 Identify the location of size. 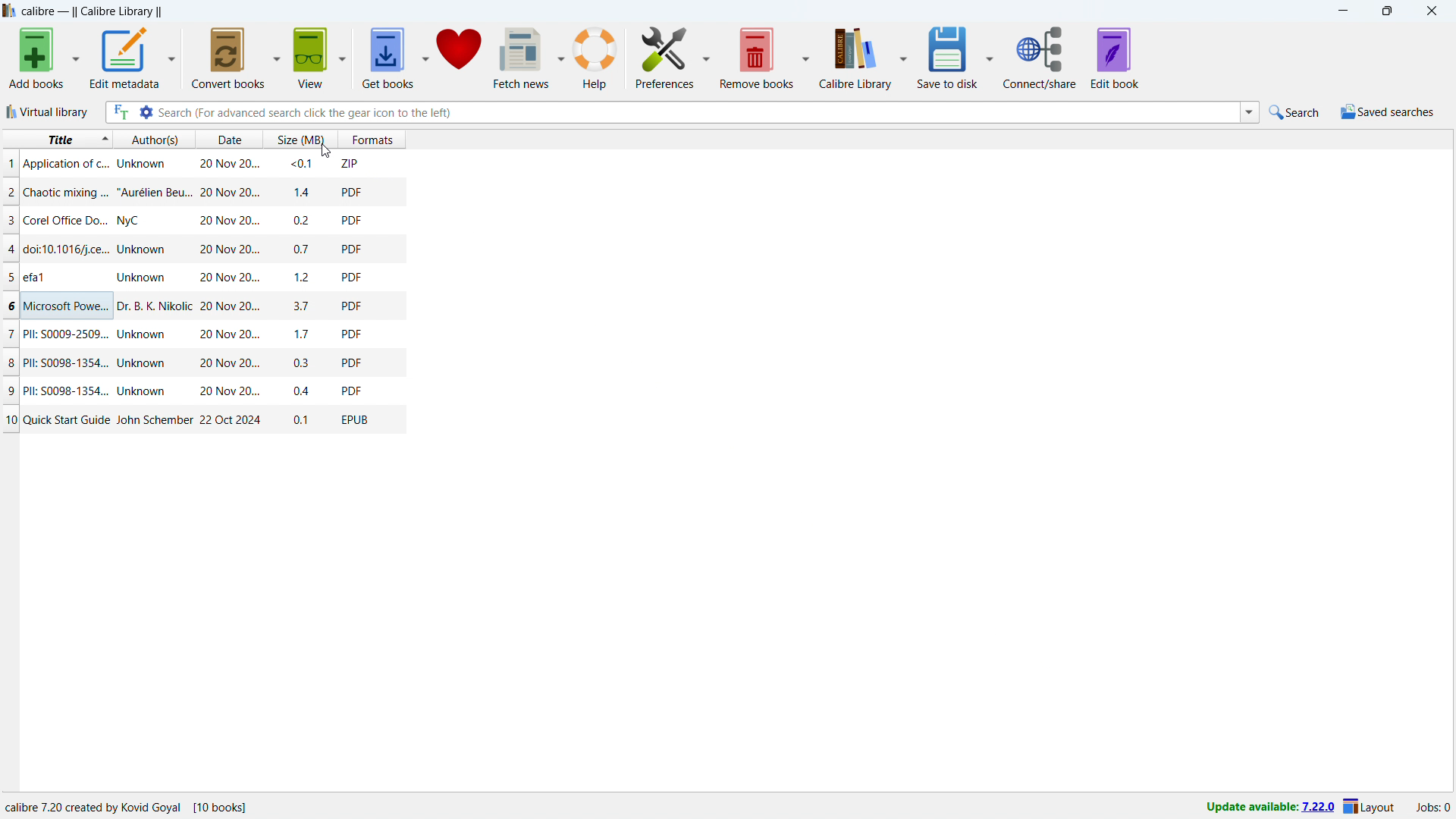
(300, 164).